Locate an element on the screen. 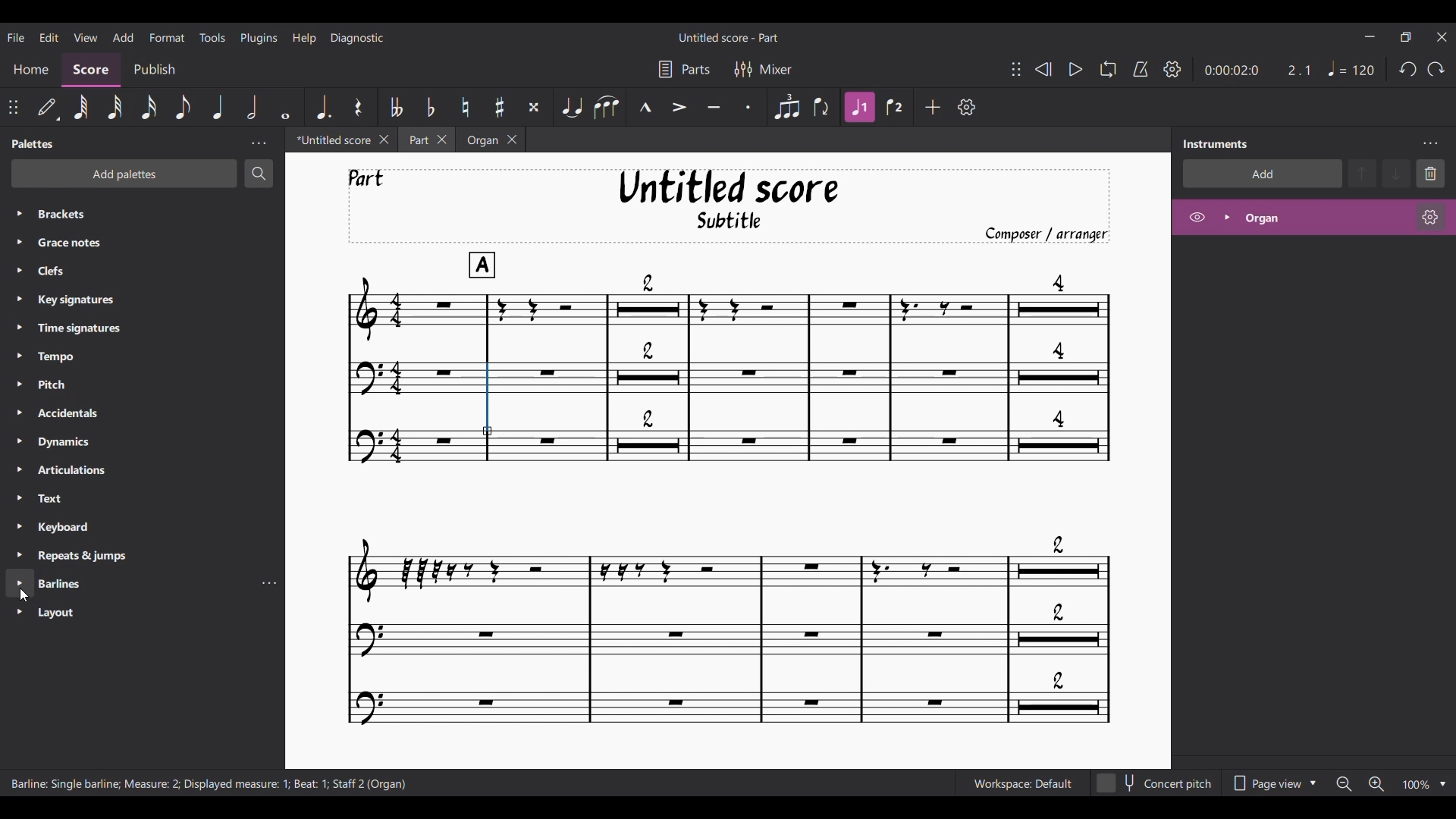 This screenshot has height=819, width=1456. Zoom out is located at coordinates (1343, 784).